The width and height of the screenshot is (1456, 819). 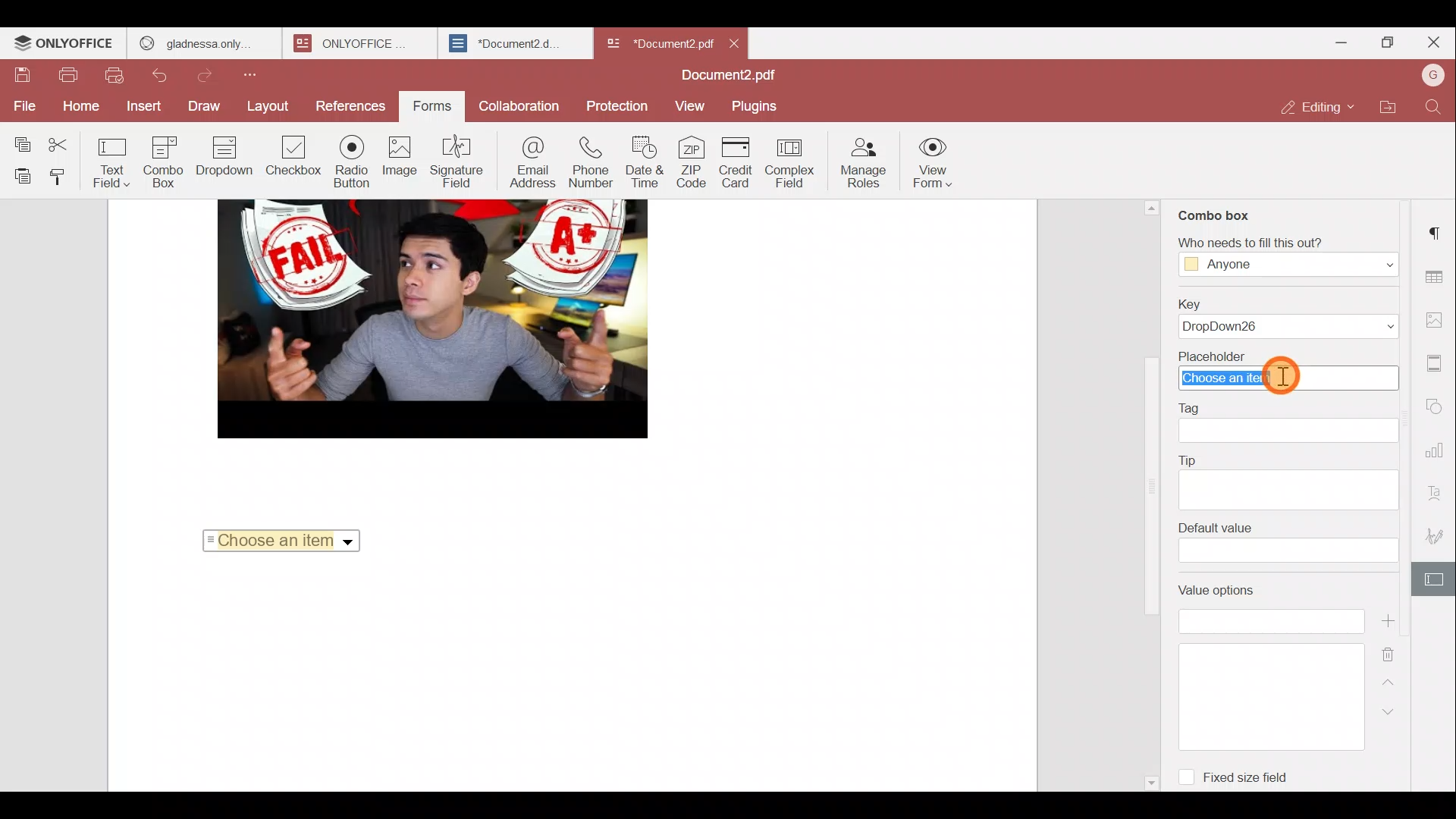 I want to click on Placeholder, so click(x=1286, y=370).